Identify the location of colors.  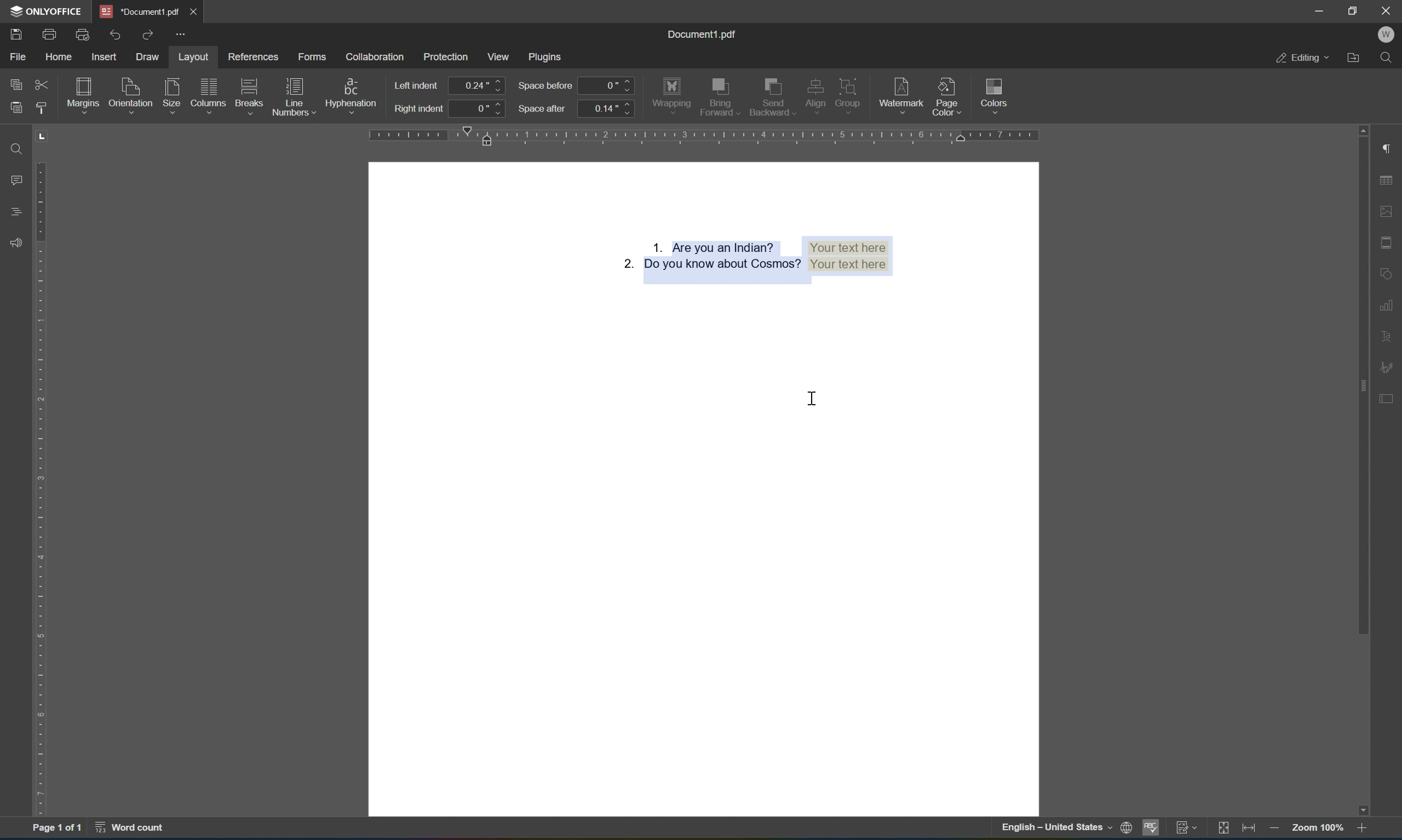
(994, 94).